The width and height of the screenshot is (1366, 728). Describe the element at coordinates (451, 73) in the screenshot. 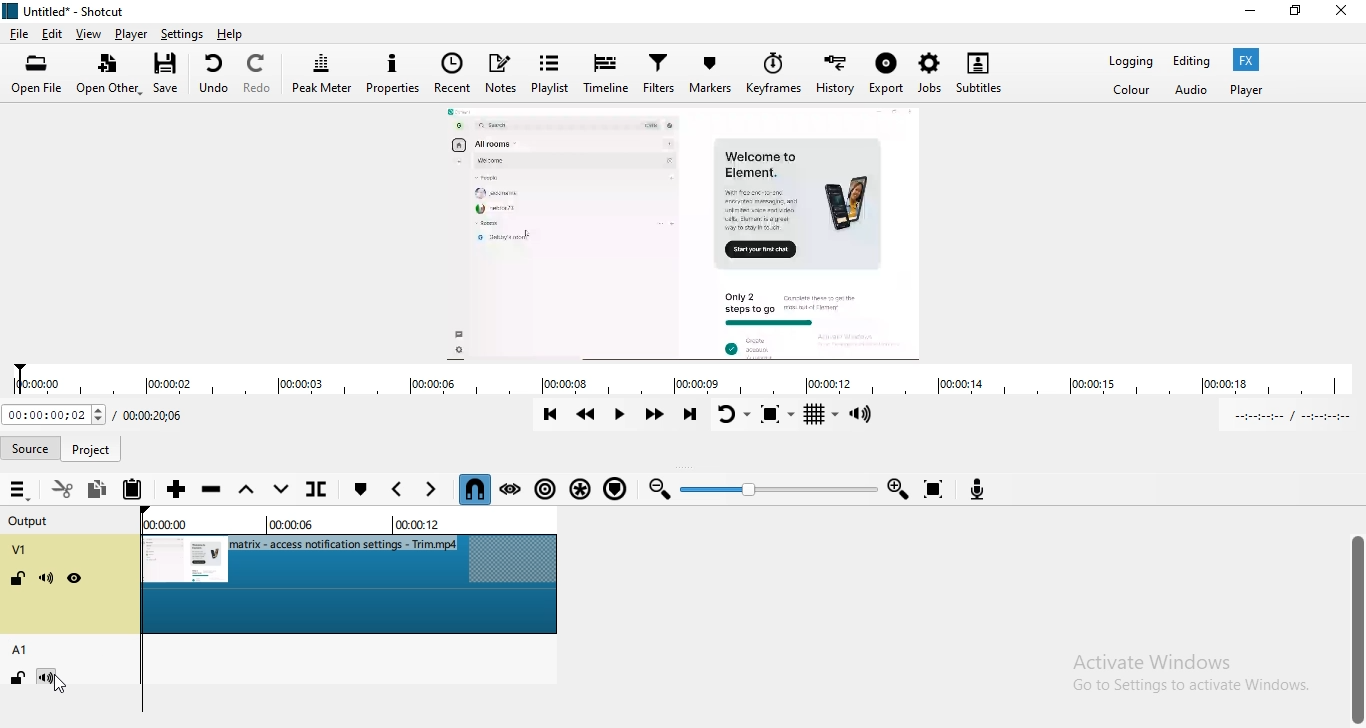

I see `Recent` at that location.